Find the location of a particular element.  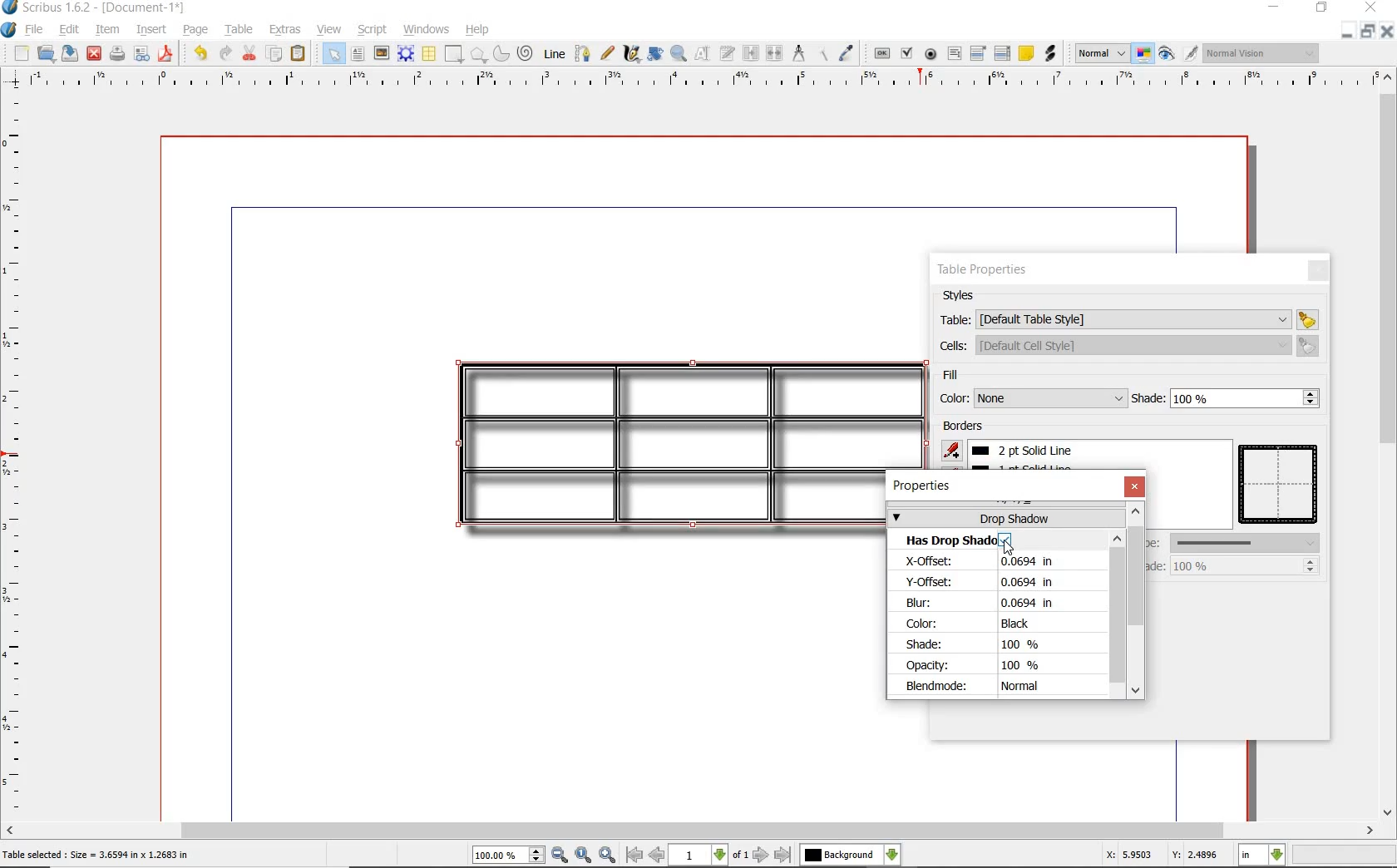

table is located at coordinates (1128, 318).